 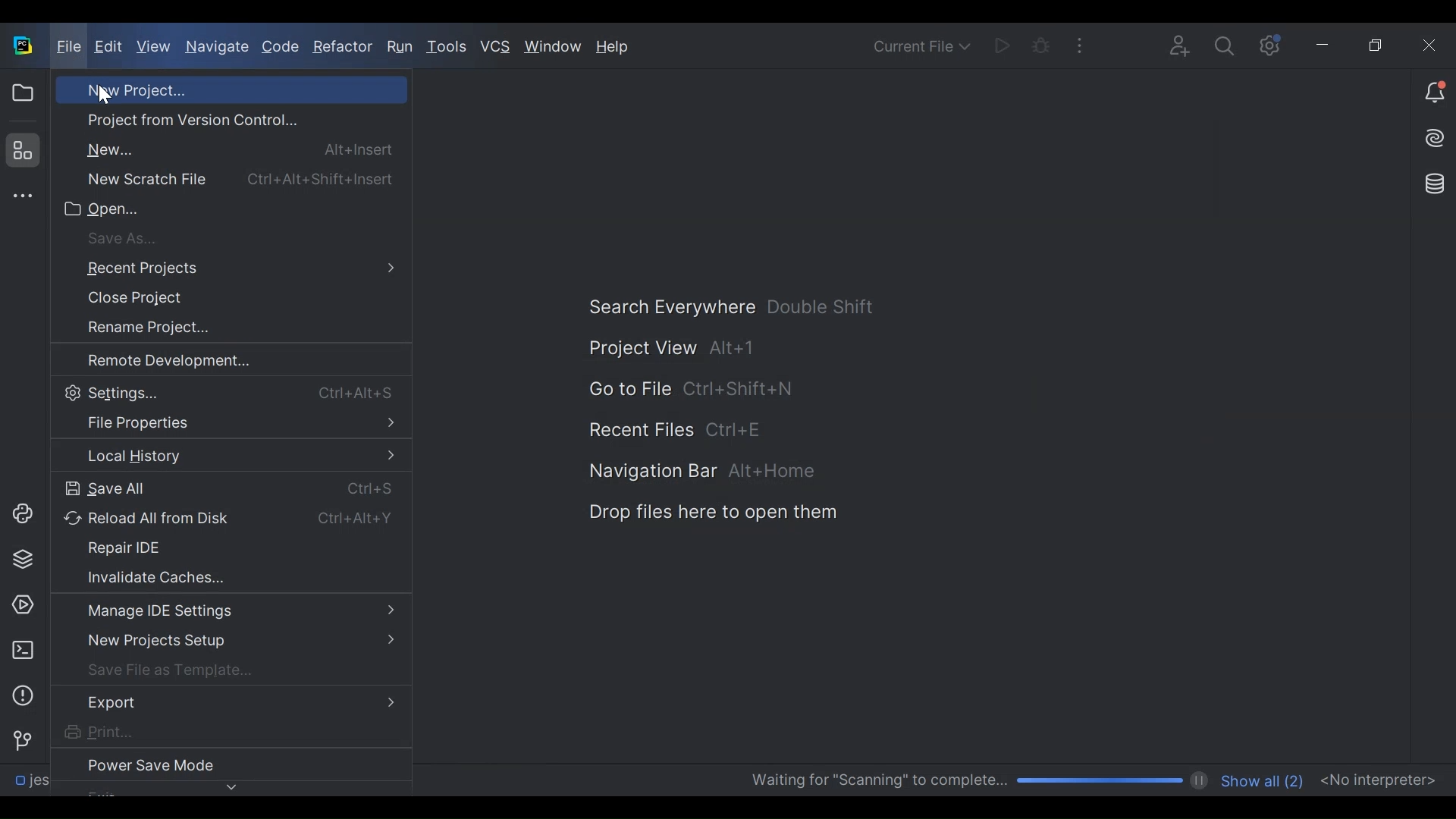 What do you see at coordinates (211, 89) in the screenshot?
I see `Project` at bounding box center [211, 89].